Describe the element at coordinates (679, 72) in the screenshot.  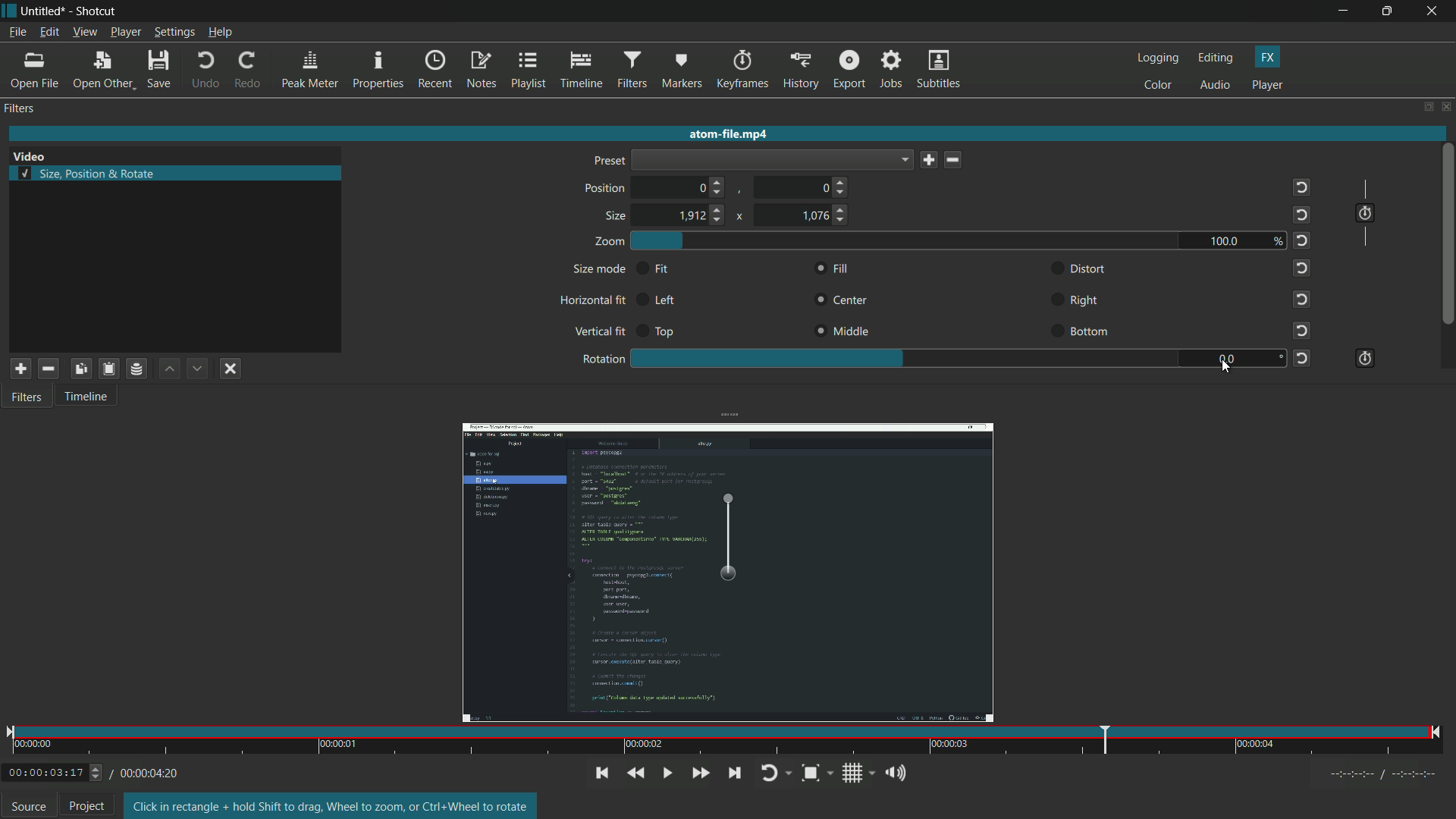
I see `markers` at that location.